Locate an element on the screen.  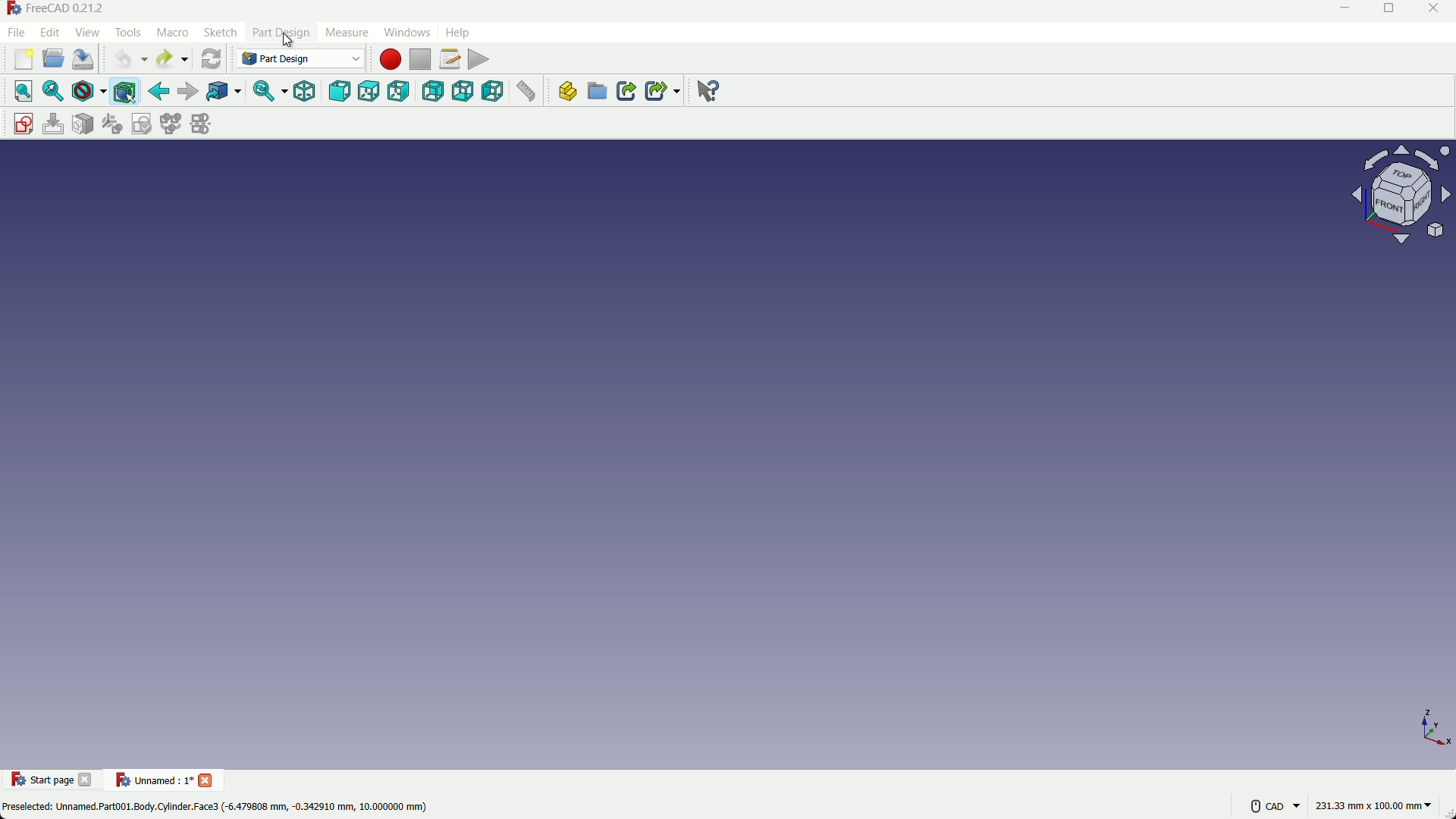
start page is located at coordinates (58, 781).